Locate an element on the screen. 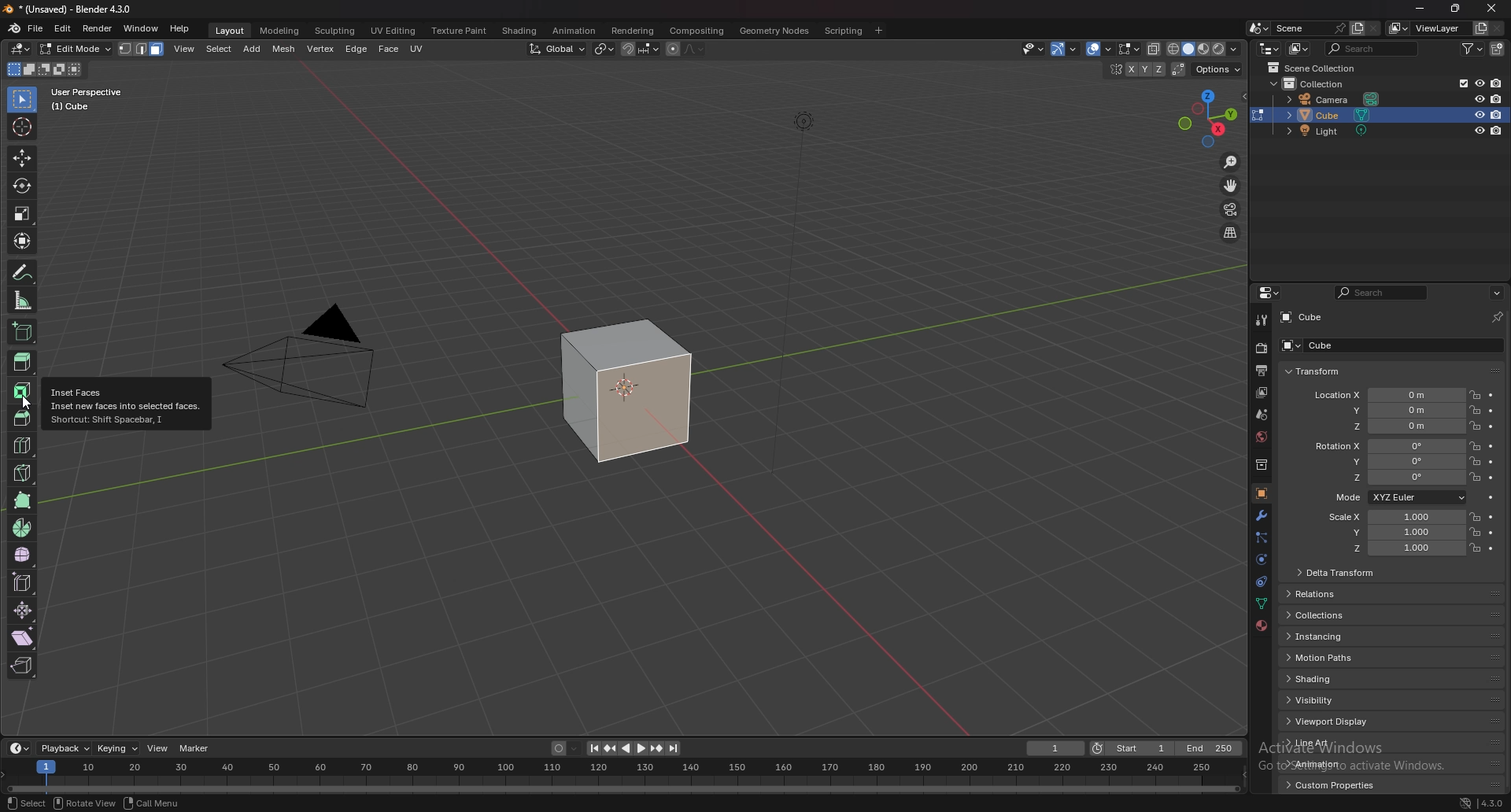 This screenshot has width=1511, height=812. jump to keyframe is located at coordinates (657, 748).